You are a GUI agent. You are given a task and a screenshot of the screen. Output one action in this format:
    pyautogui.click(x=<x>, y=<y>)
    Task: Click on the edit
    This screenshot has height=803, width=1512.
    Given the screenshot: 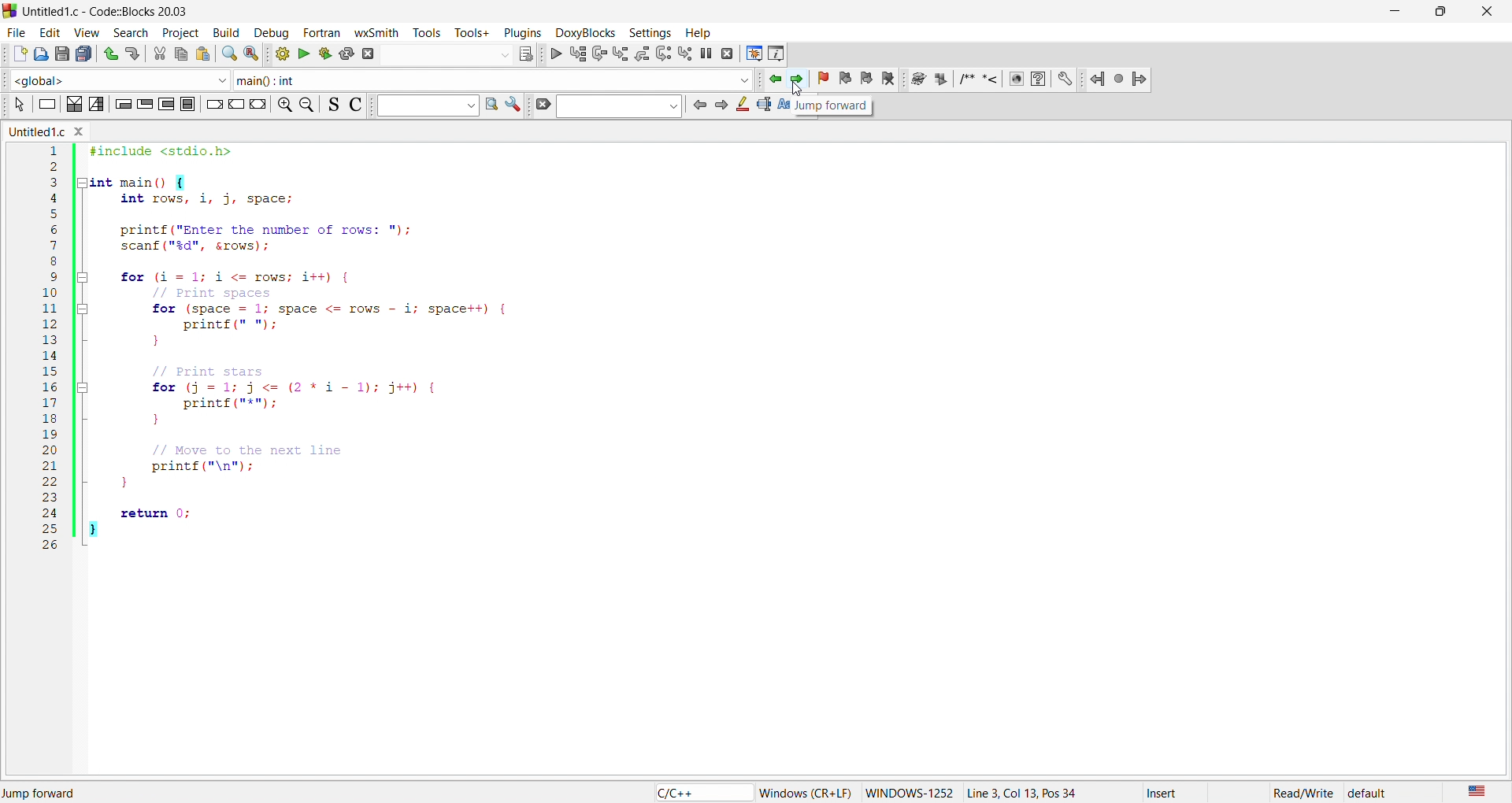 What is the action you would take?
    pyautogui.click(x=46, y=31)
    